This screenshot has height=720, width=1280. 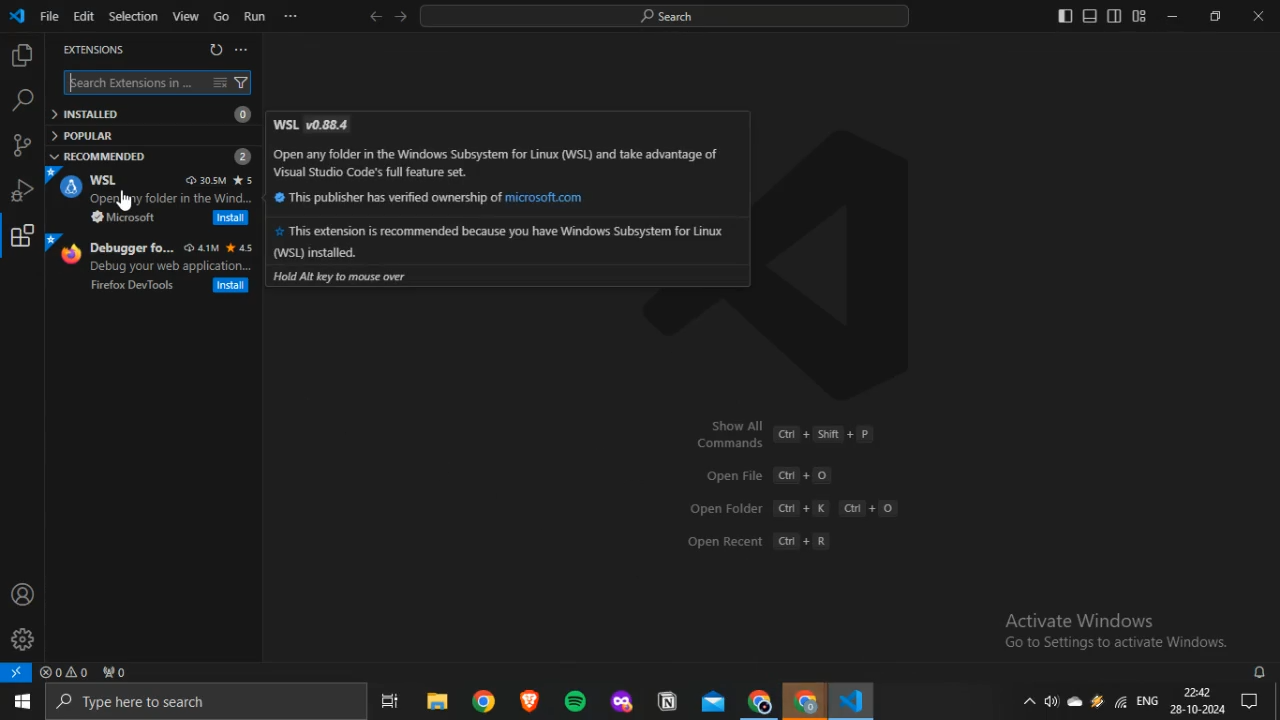 I want to click on firefox logo, so click(x=69, y=253).